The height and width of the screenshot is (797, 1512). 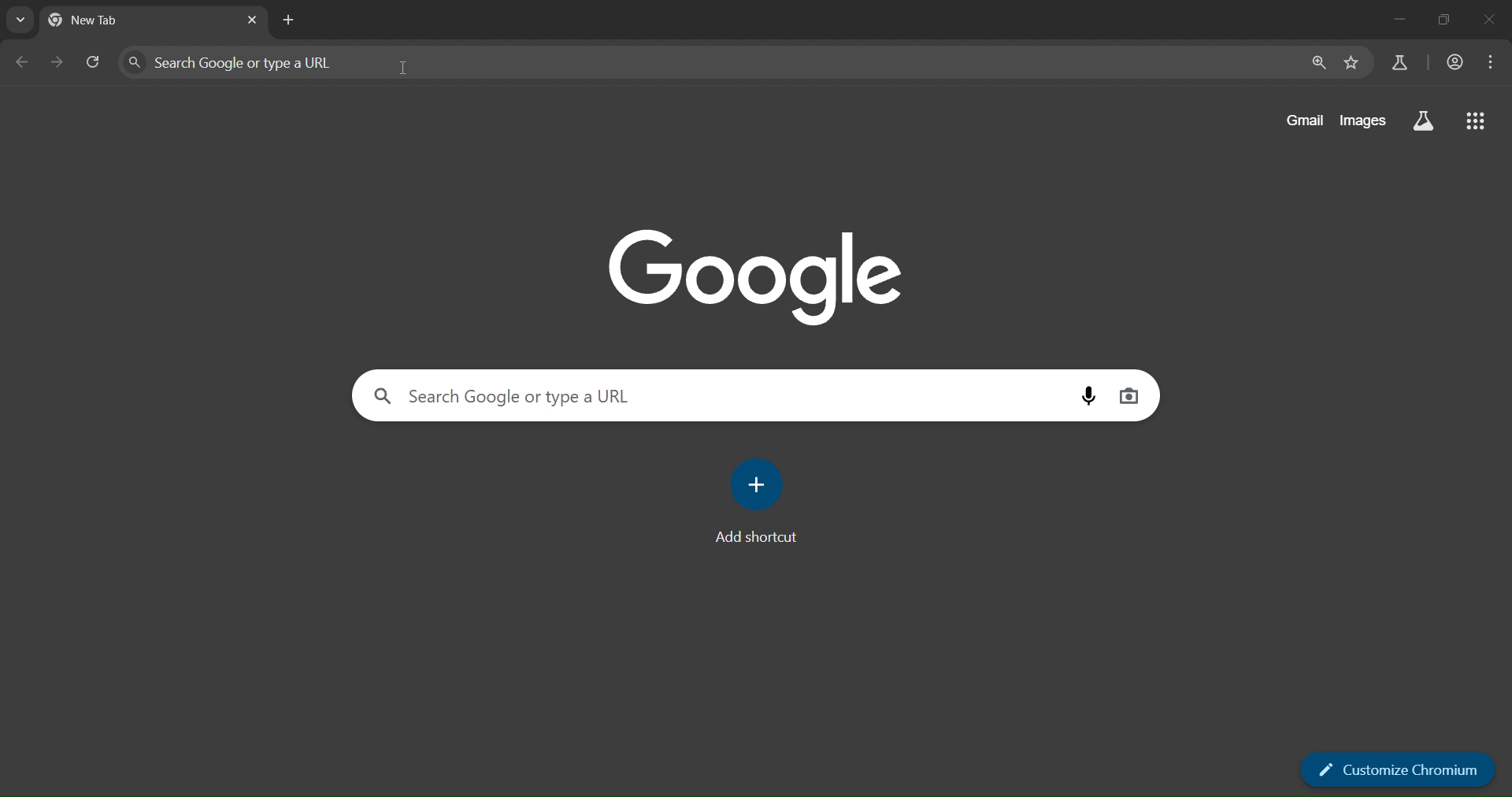 I want to click on accounts, so click(x=1455, y=62).